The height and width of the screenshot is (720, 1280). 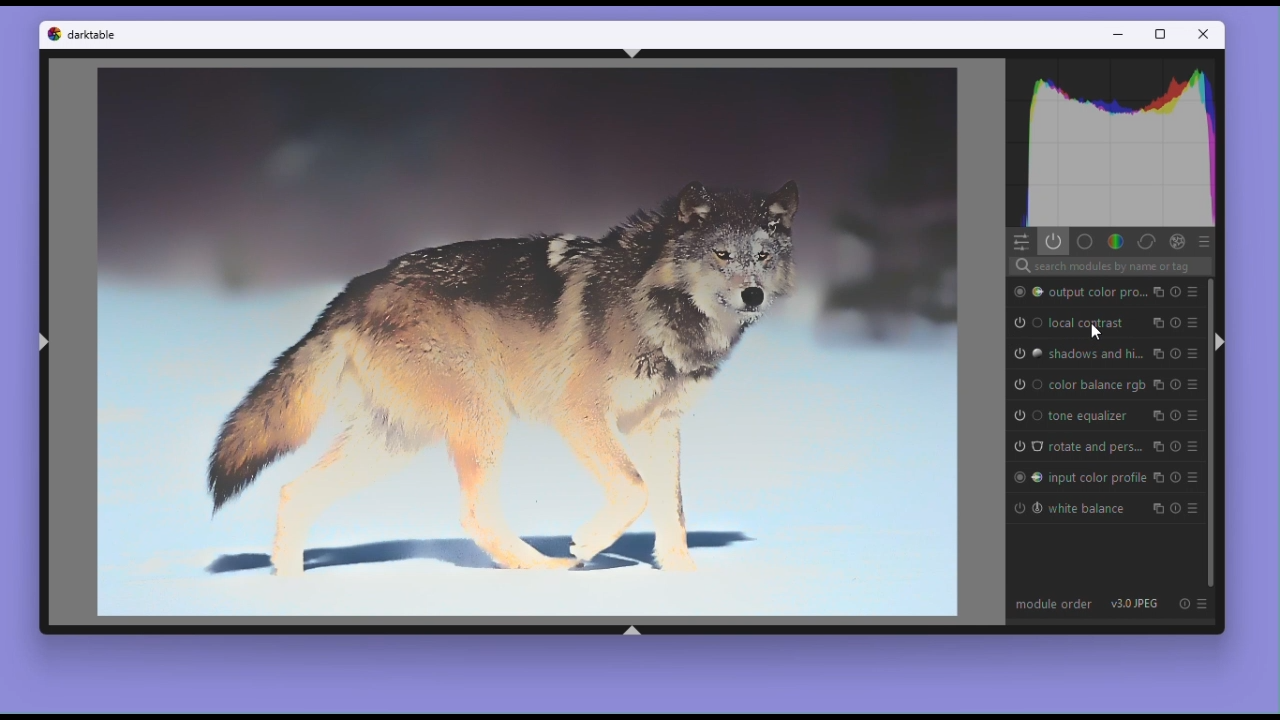 What do you see at coordinates (1158, 478) in the screenshot?
I see `instance` at bounding box center [1158, 478].